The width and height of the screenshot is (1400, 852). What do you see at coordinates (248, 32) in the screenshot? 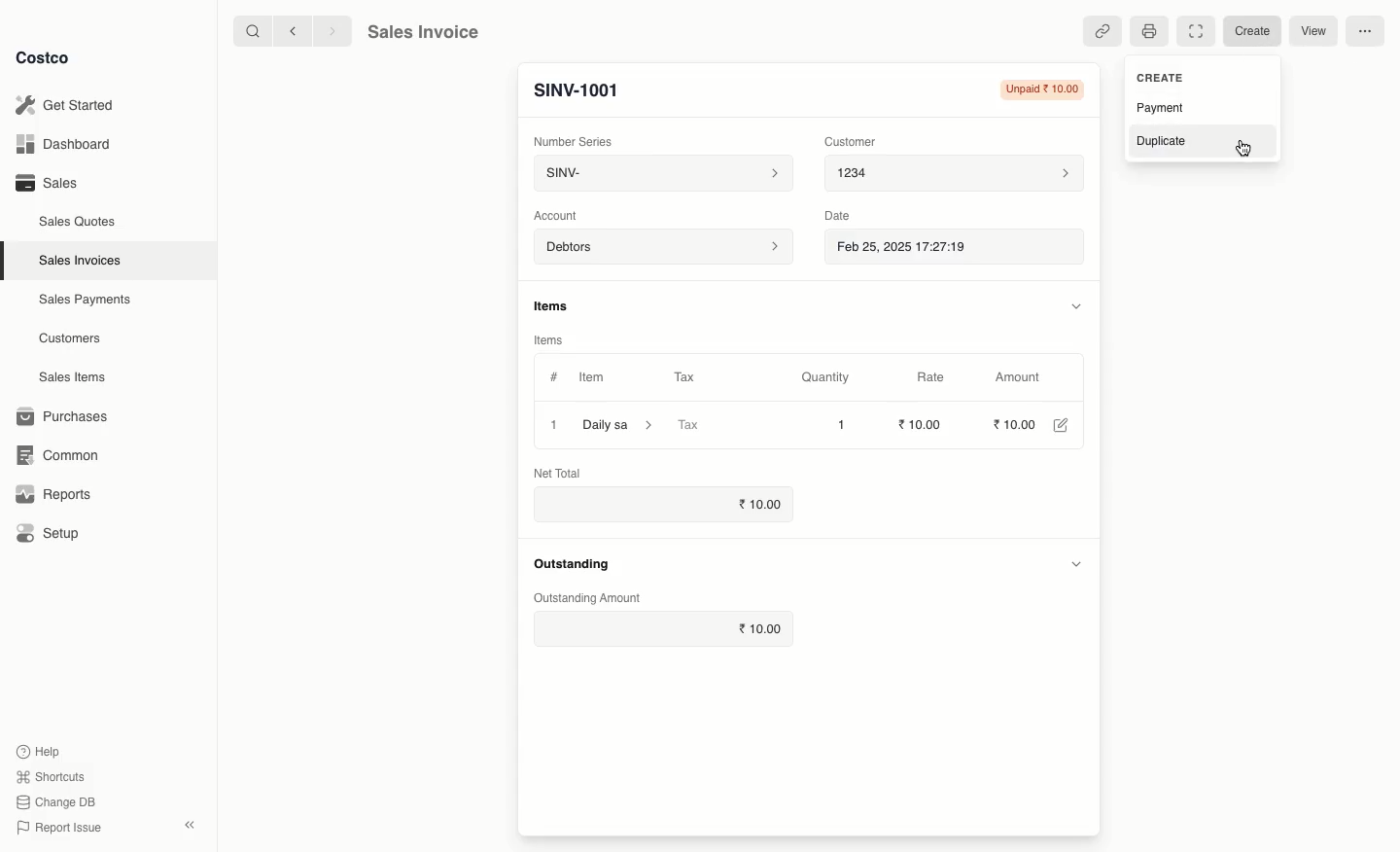
I see `Search` at bounding box center [248, 32].